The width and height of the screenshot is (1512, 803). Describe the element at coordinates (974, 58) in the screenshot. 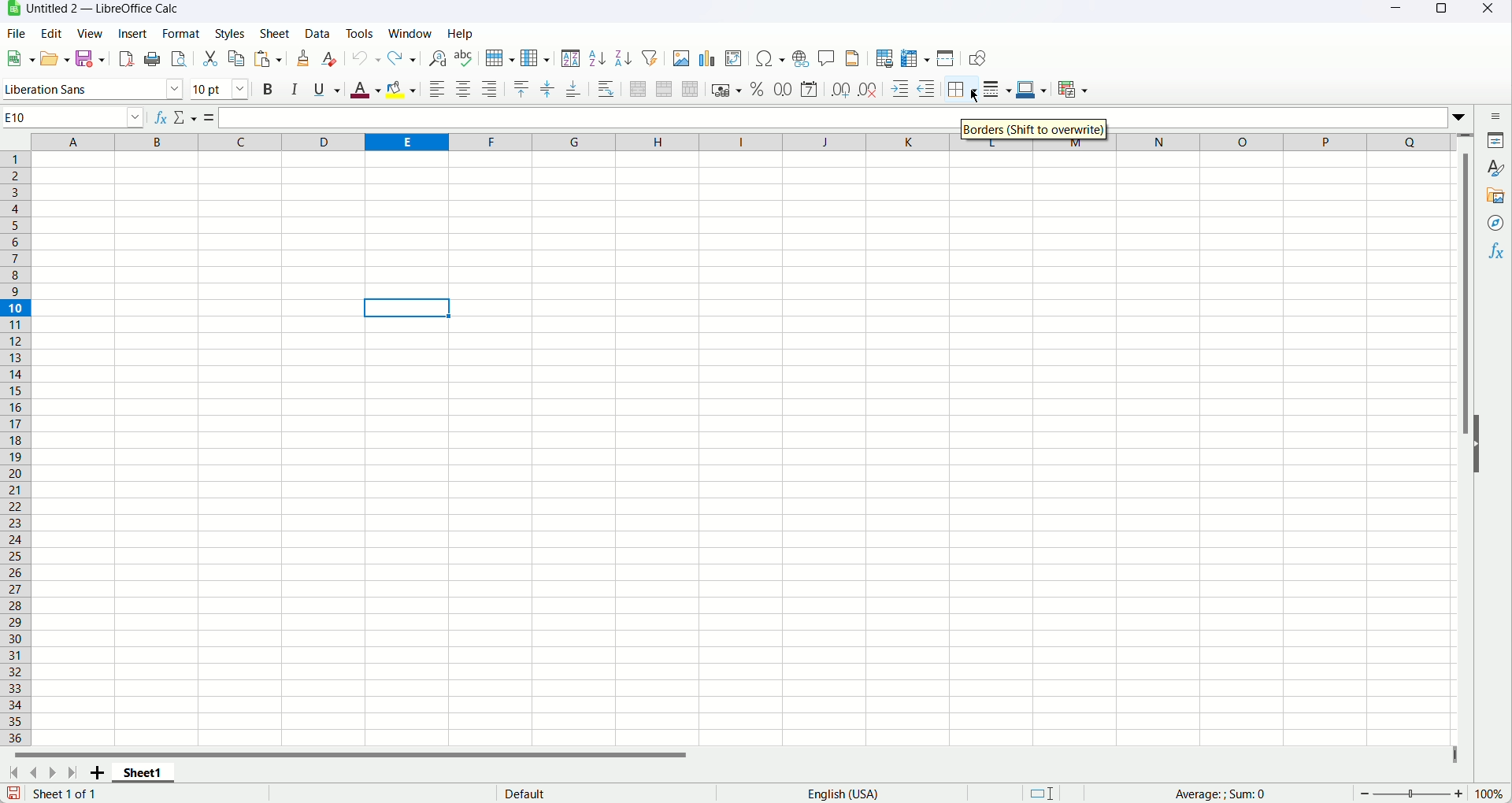

I see `Show draw functions` at that location.